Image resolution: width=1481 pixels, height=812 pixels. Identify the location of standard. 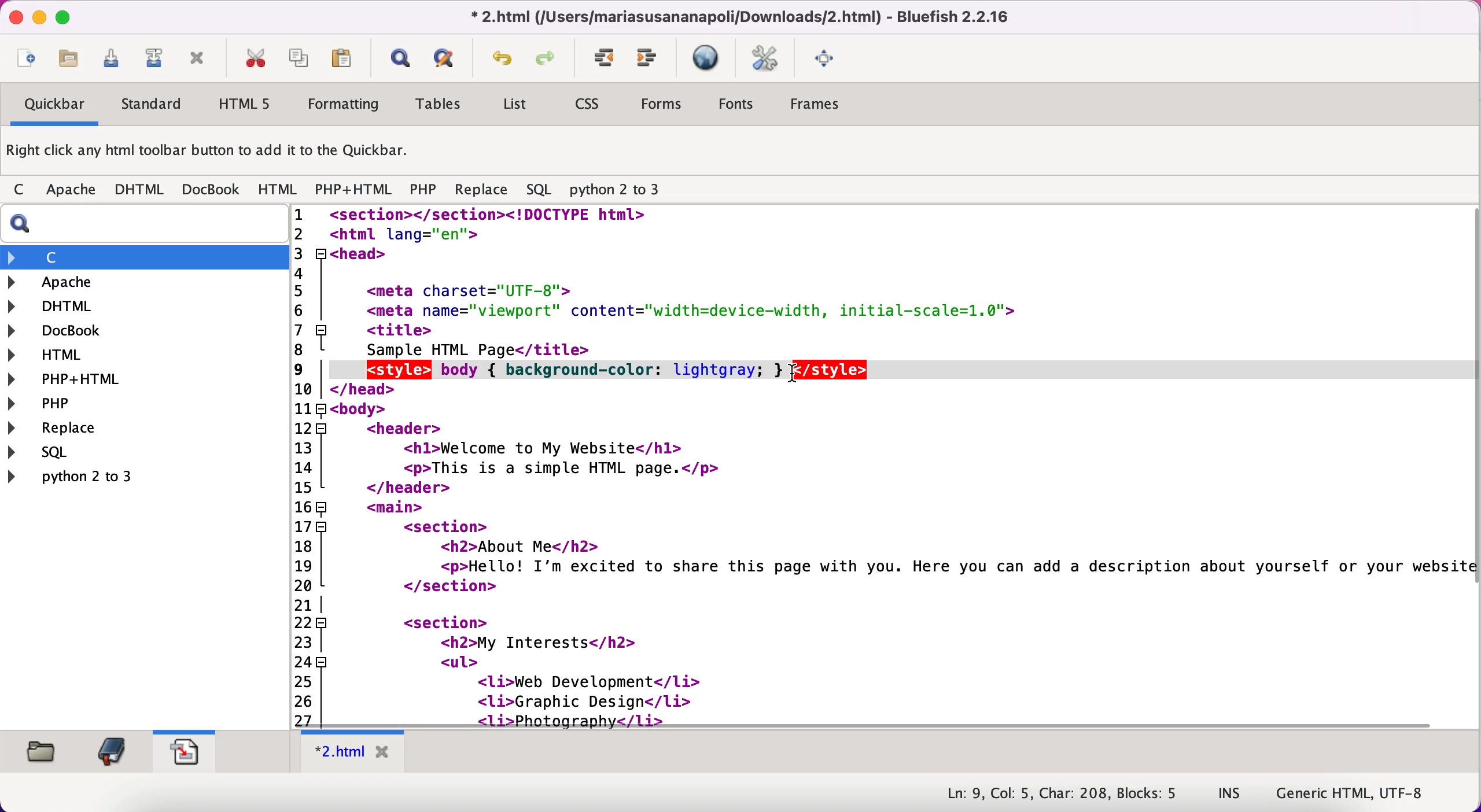
(153, 106).